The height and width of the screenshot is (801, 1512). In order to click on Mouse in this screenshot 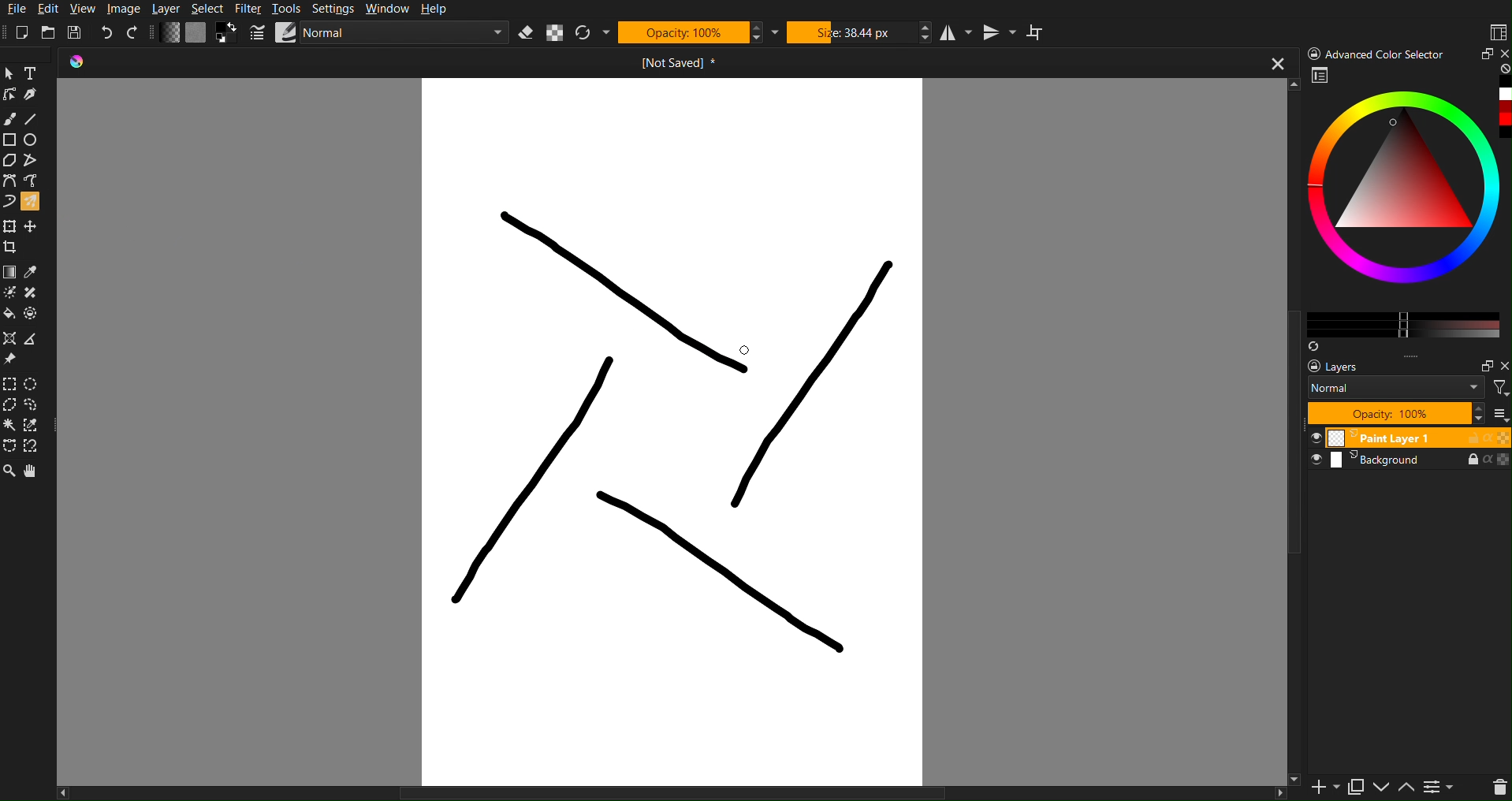, I will do `click(35, 201)`.